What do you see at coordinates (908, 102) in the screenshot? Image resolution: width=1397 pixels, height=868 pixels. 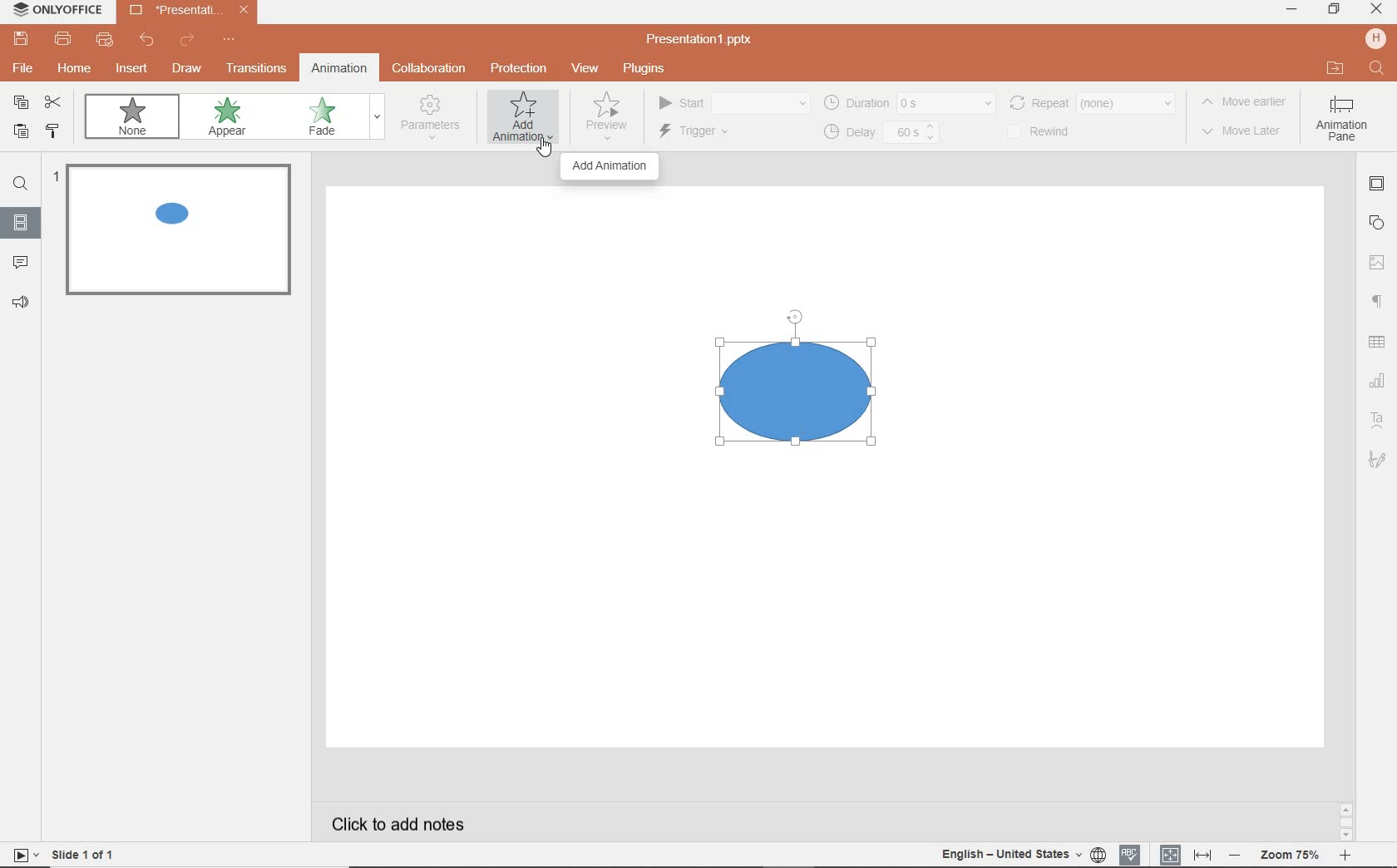 I see `duration` at bounding box center [908, 102].